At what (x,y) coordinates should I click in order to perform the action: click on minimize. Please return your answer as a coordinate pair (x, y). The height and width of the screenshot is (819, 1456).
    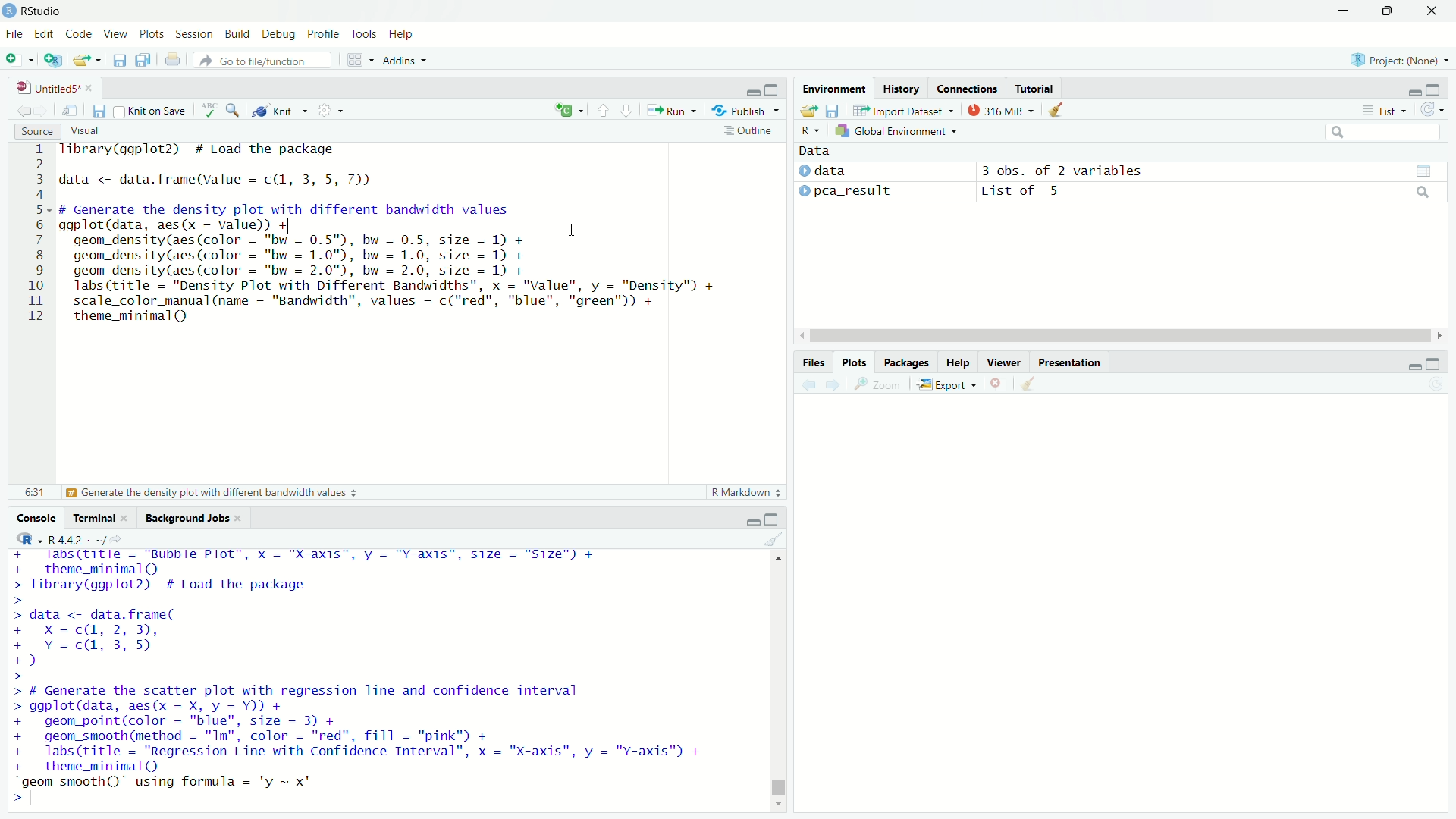
    Looking at the image, I should click on (751, 89).